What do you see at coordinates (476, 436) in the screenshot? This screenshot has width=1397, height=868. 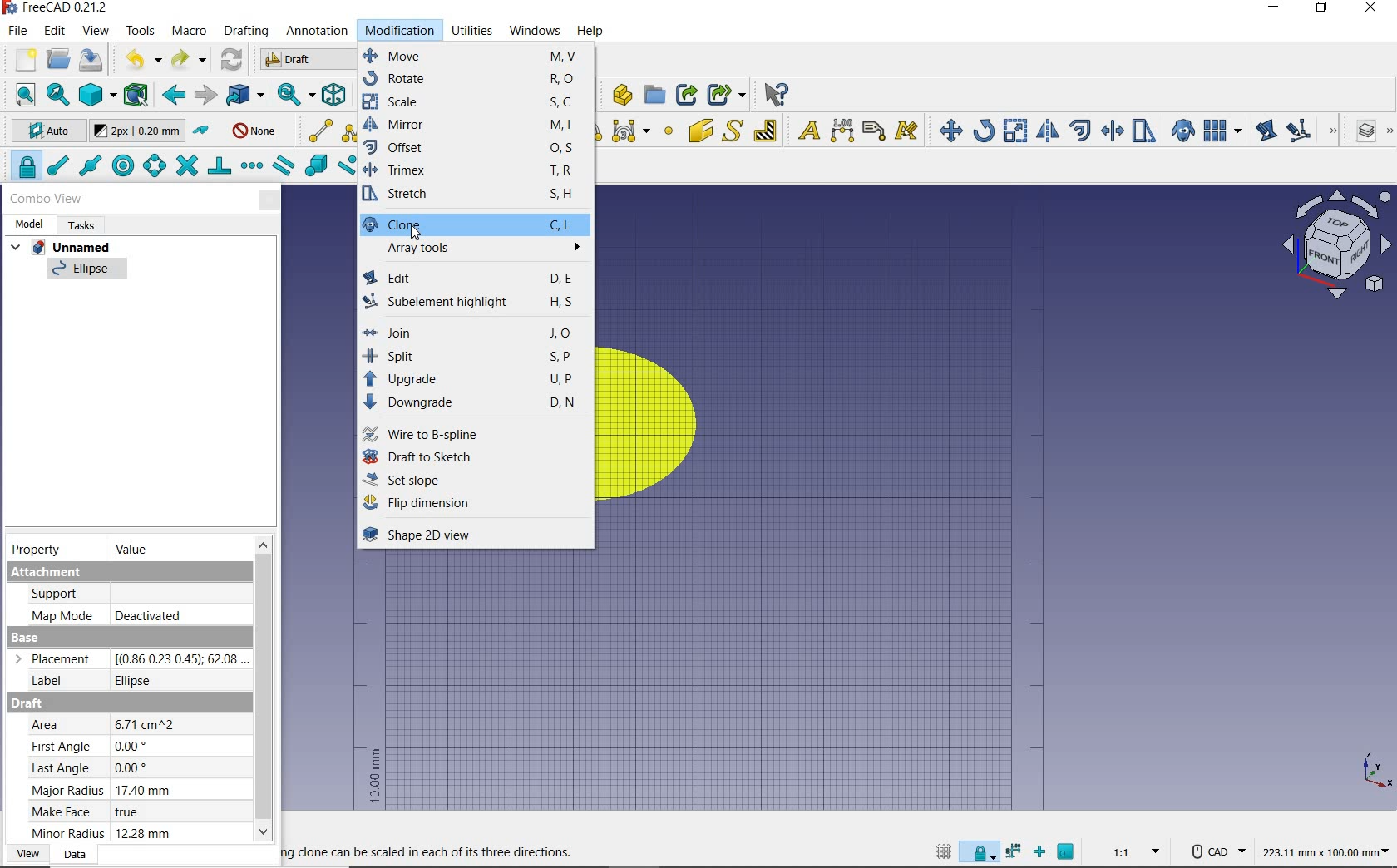 I see `write to B-spline` at bounding box center [476, 436].